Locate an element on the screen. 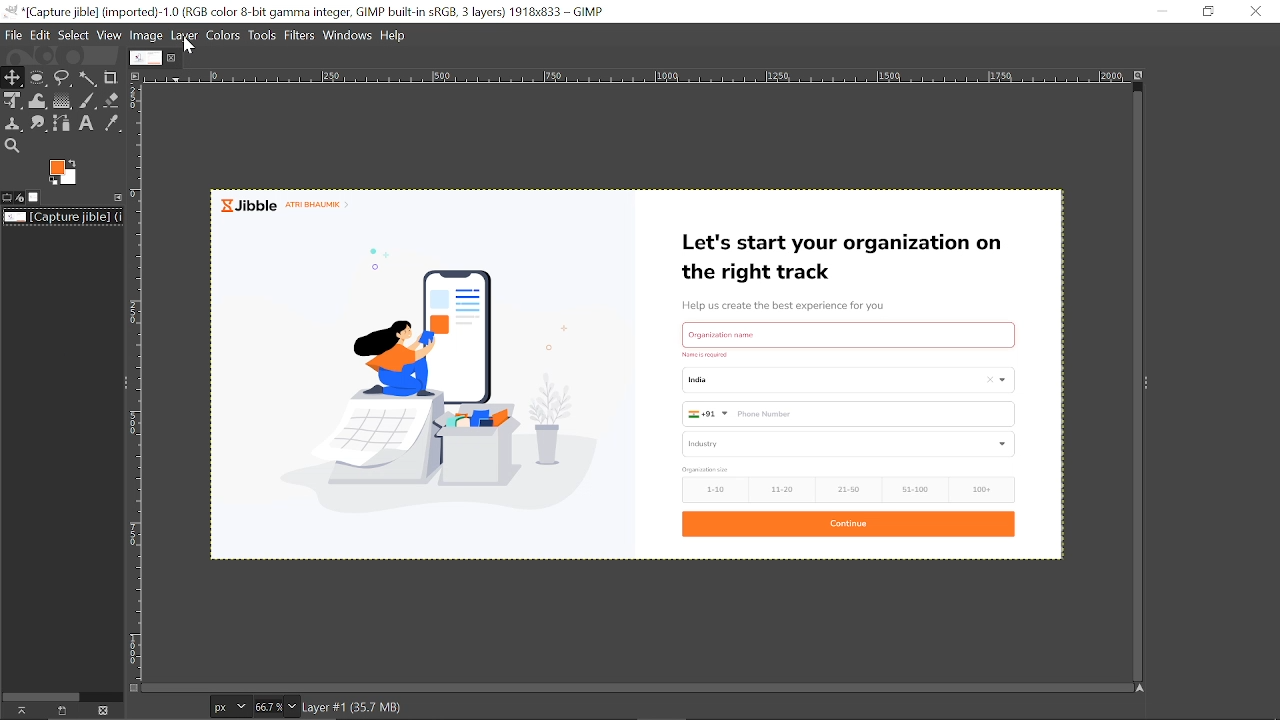 This screenshot has height=720, width=1280. Images is located at coordinates (34, 197).